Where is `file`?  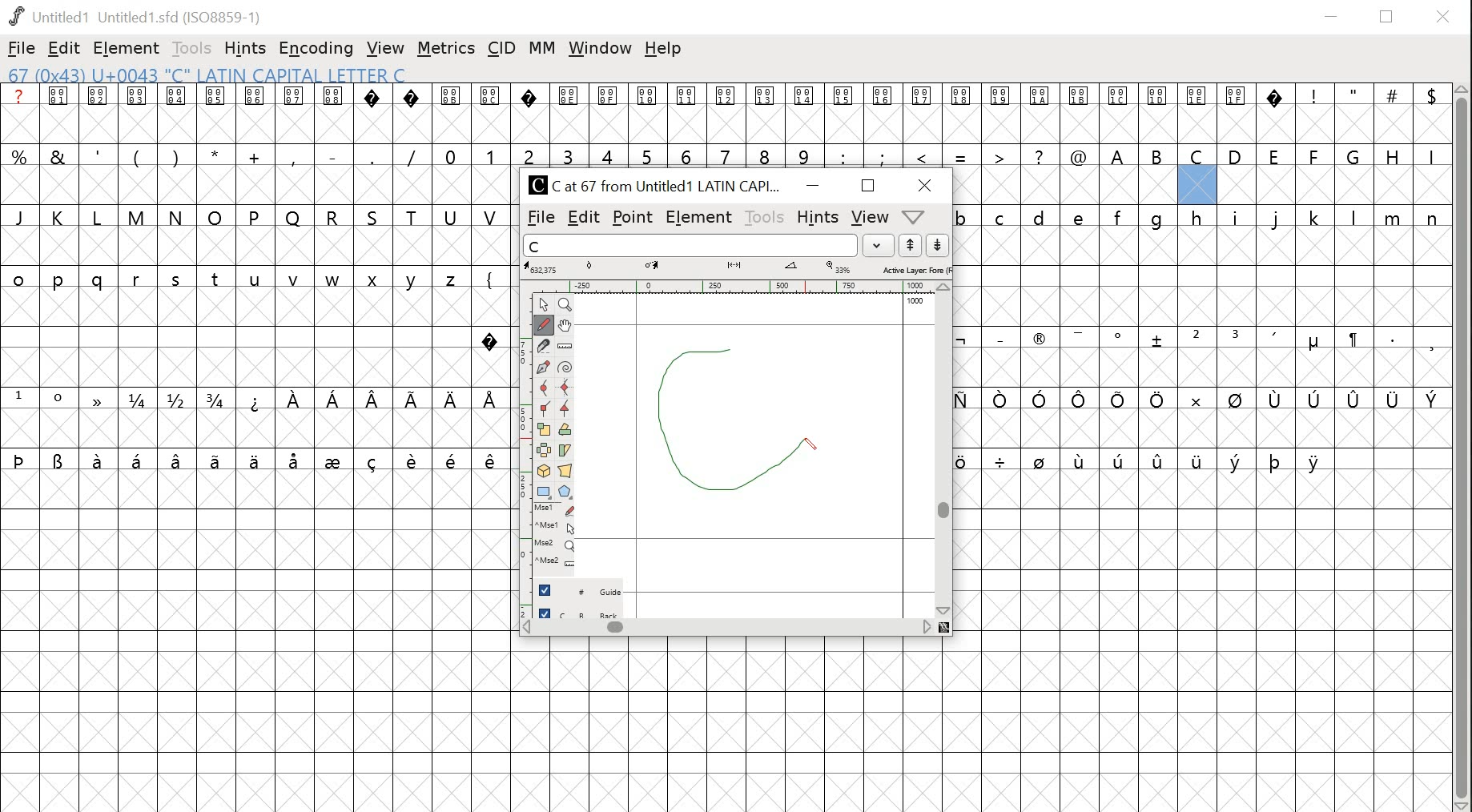 file is located at coordinates (537, 218).